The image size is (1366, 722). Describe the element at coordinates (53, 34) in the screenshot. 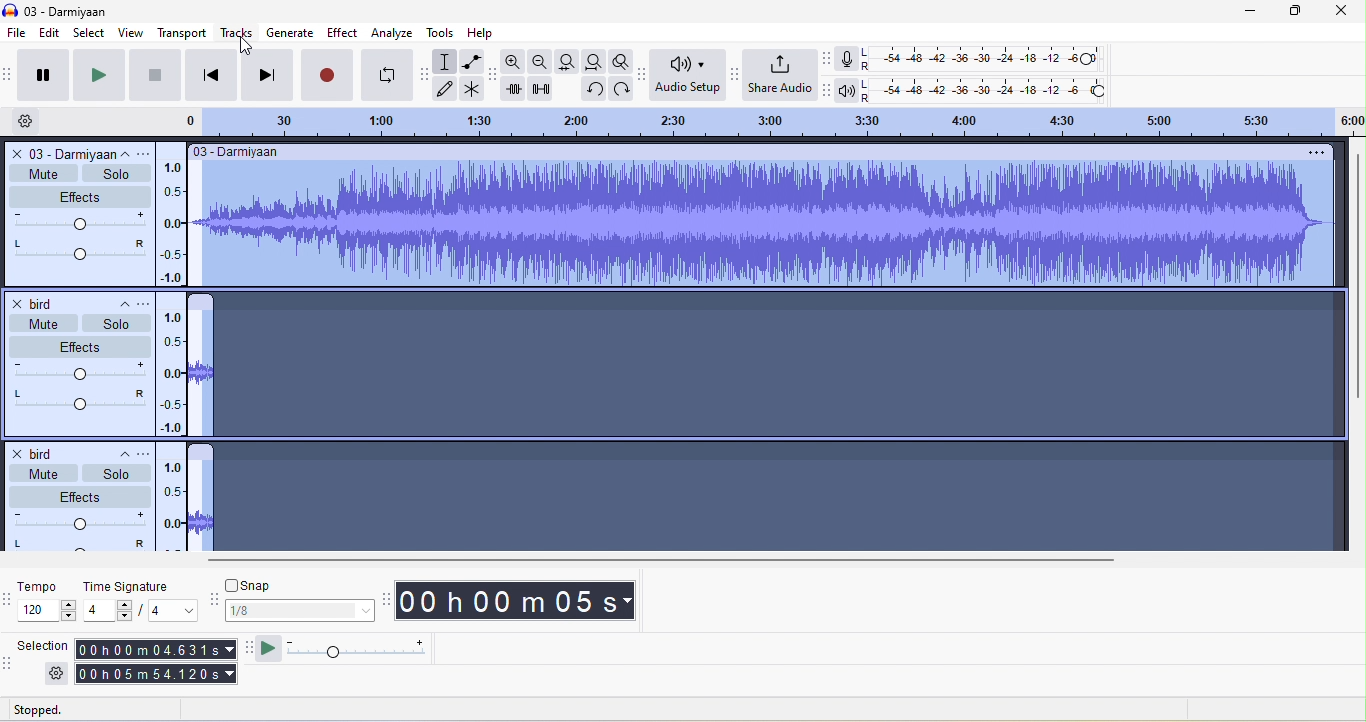

I see `edit` at that location.